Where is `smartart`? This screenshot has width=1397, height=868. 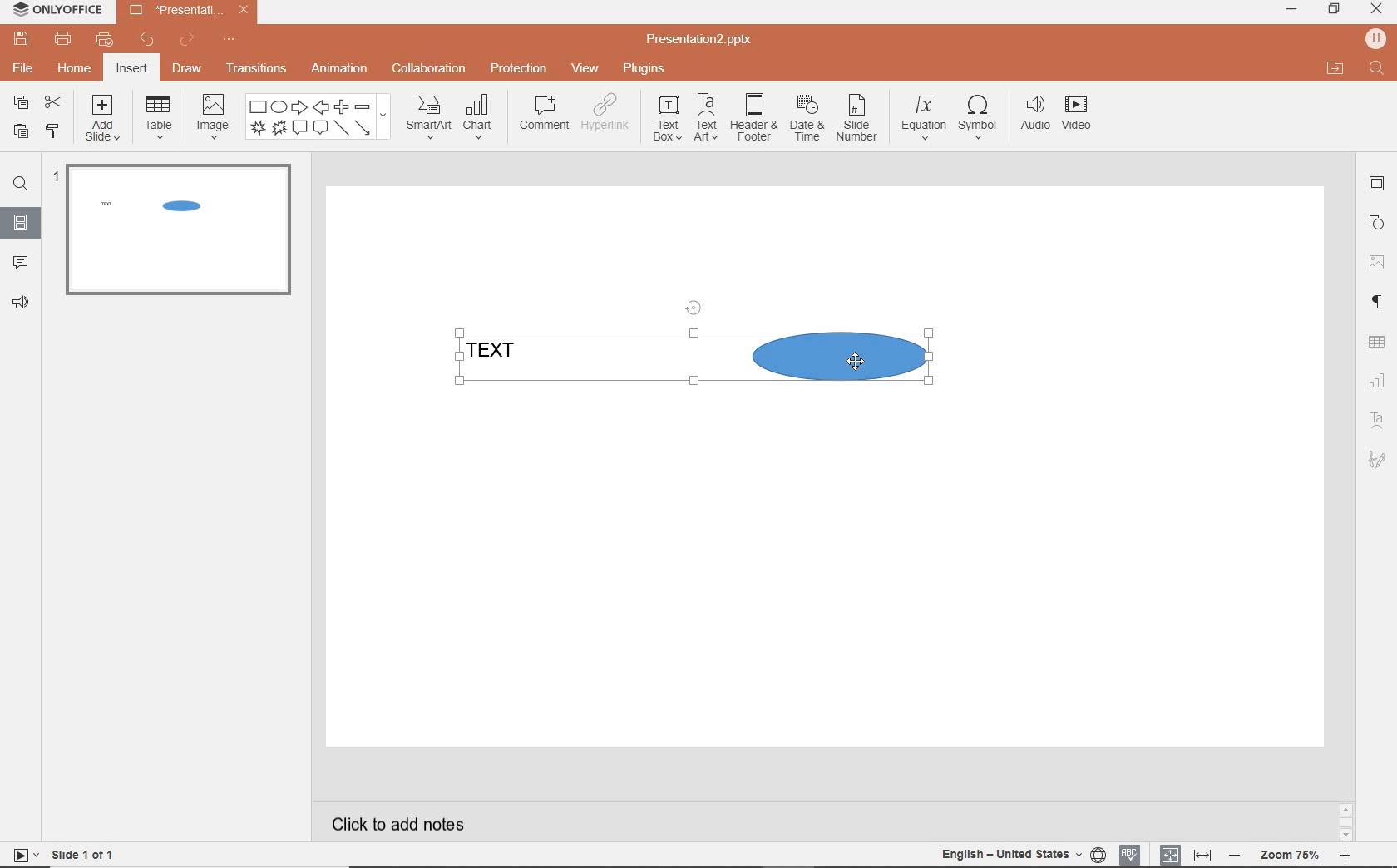
smartart is located at coordinates (428, 116).